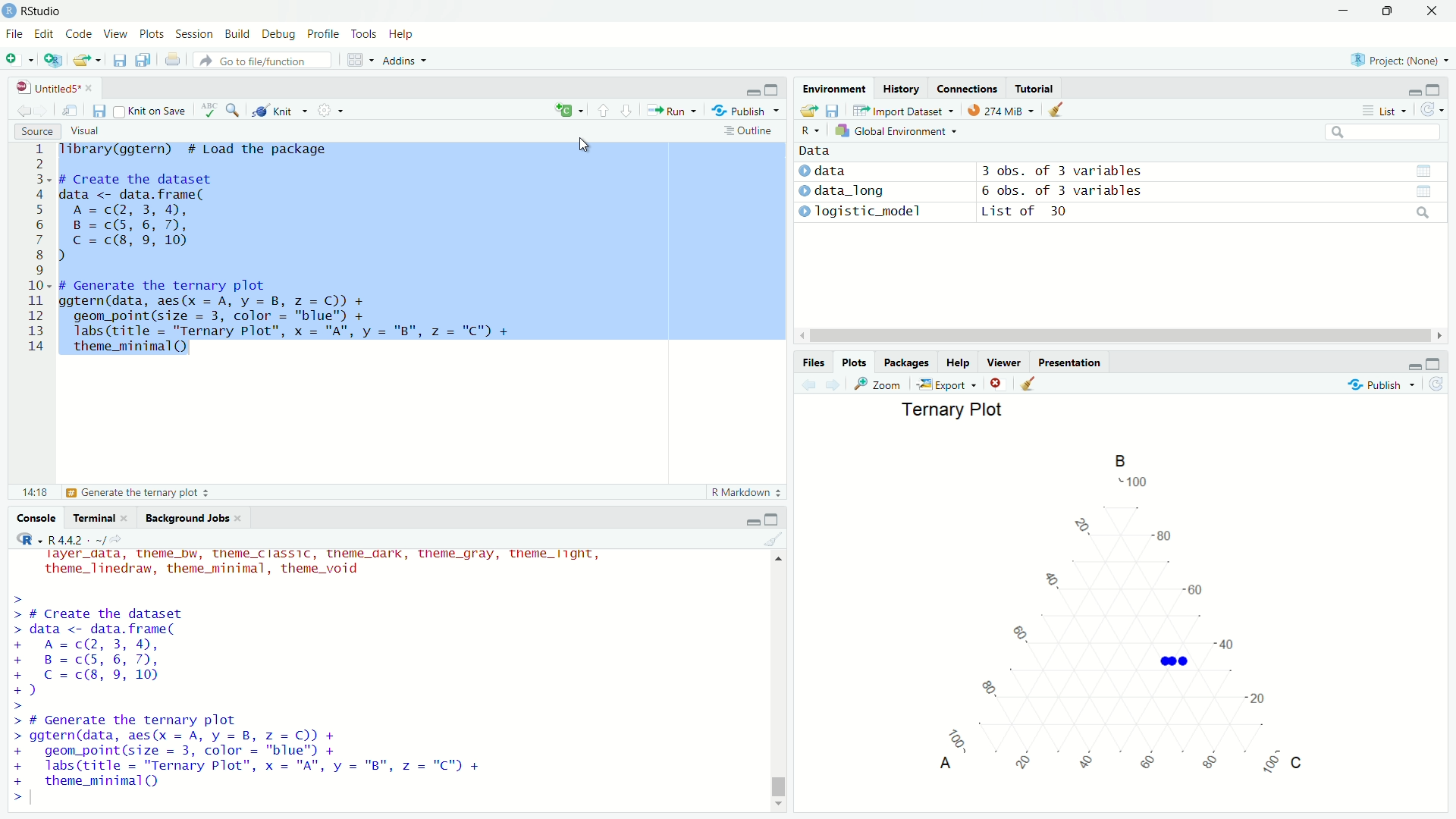  Describe the element at coordinates (809, 385) in the screenshot. I see `back` at that location.